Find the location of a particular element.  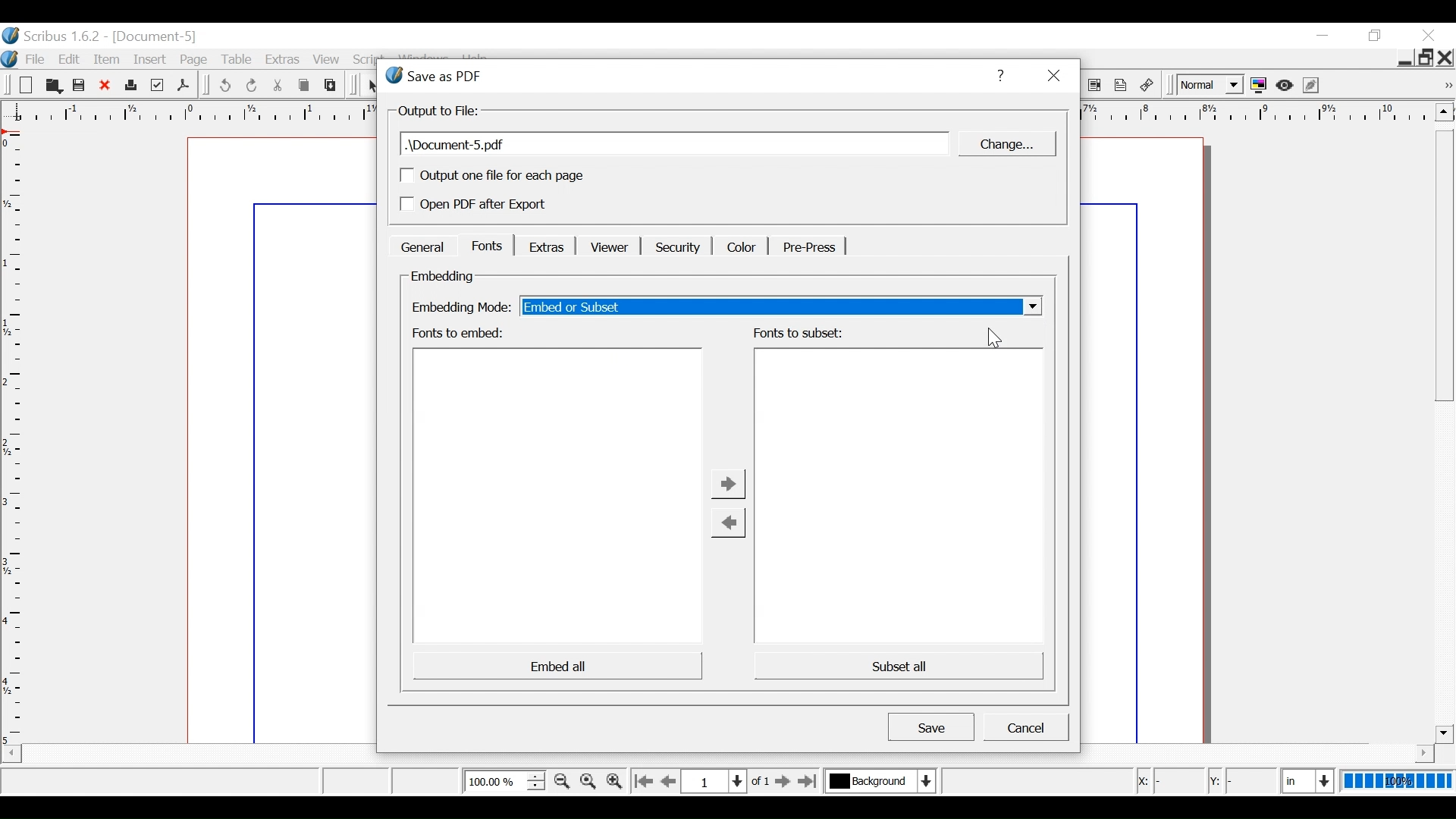

link Annotations is located at coordinates (1147, 86).